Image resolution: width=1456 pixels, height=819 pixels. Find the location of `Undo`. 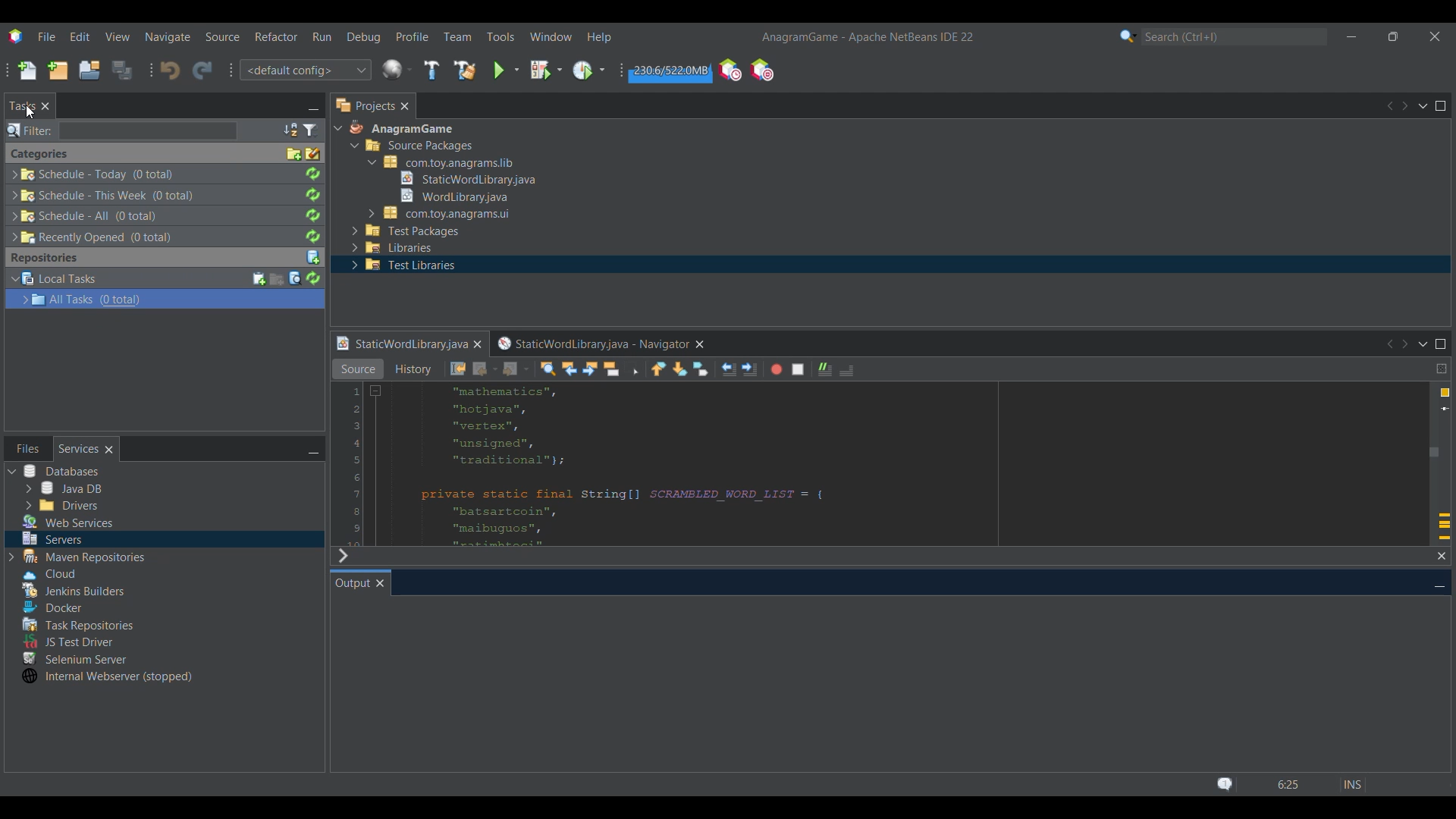

Undo is located at coordinates (170, 70).